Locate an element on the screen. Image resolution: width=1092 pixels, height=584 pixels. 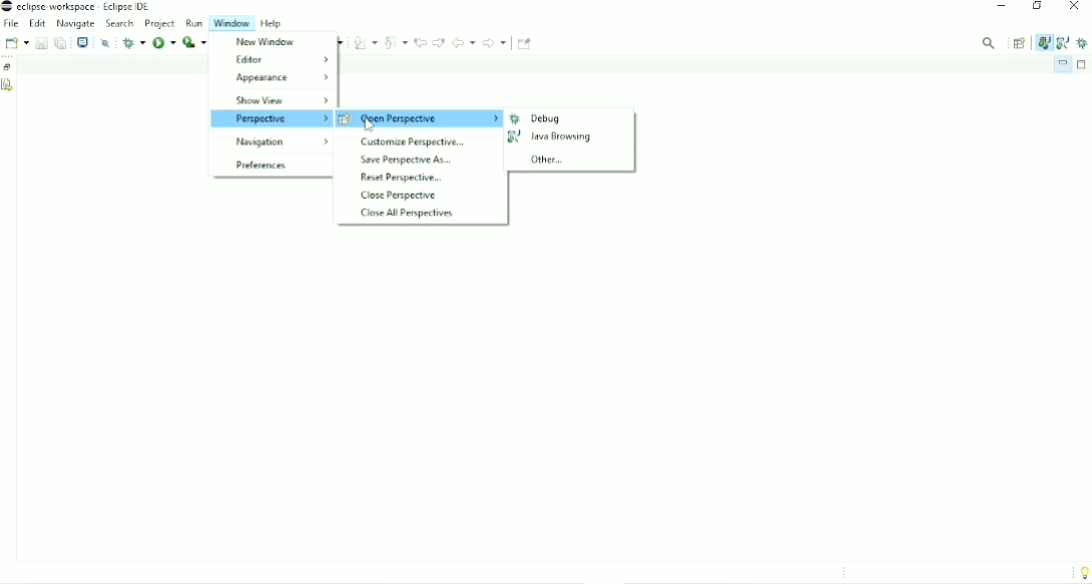
open perspective is located at coordinates (420, 119).